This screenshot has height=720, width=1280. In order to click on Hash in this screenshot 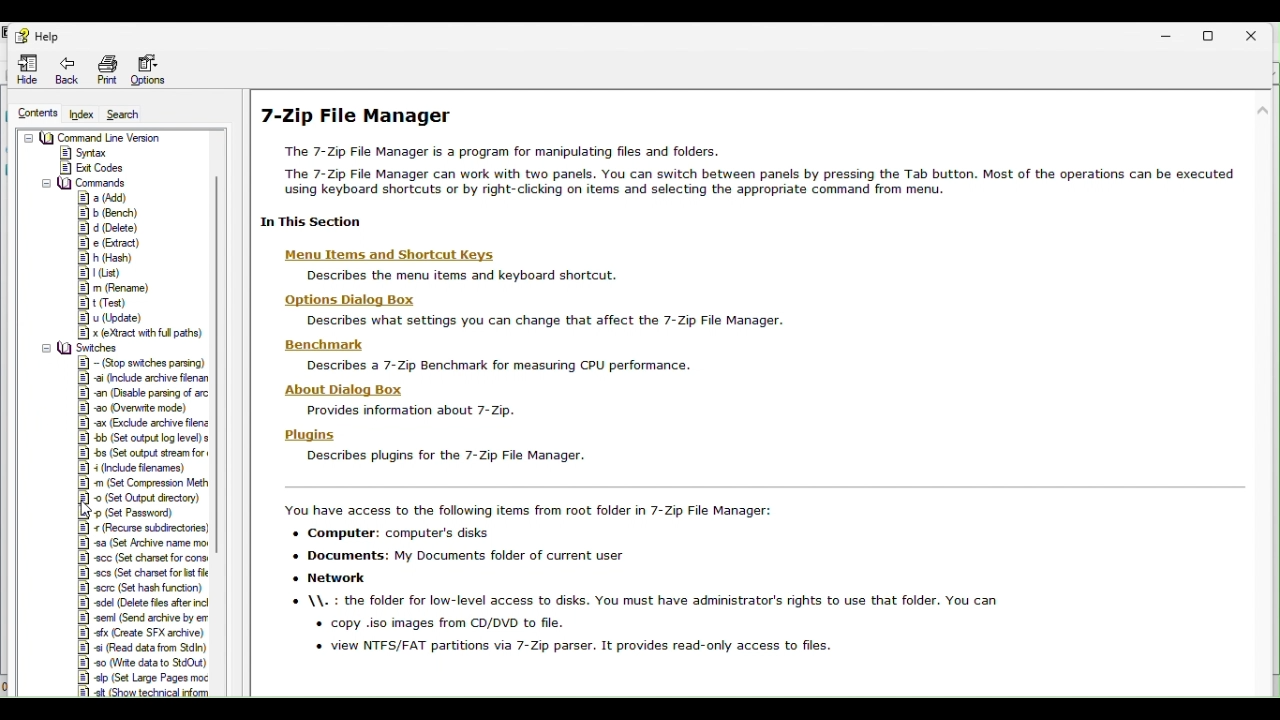, I will do `click(103, 260)`.